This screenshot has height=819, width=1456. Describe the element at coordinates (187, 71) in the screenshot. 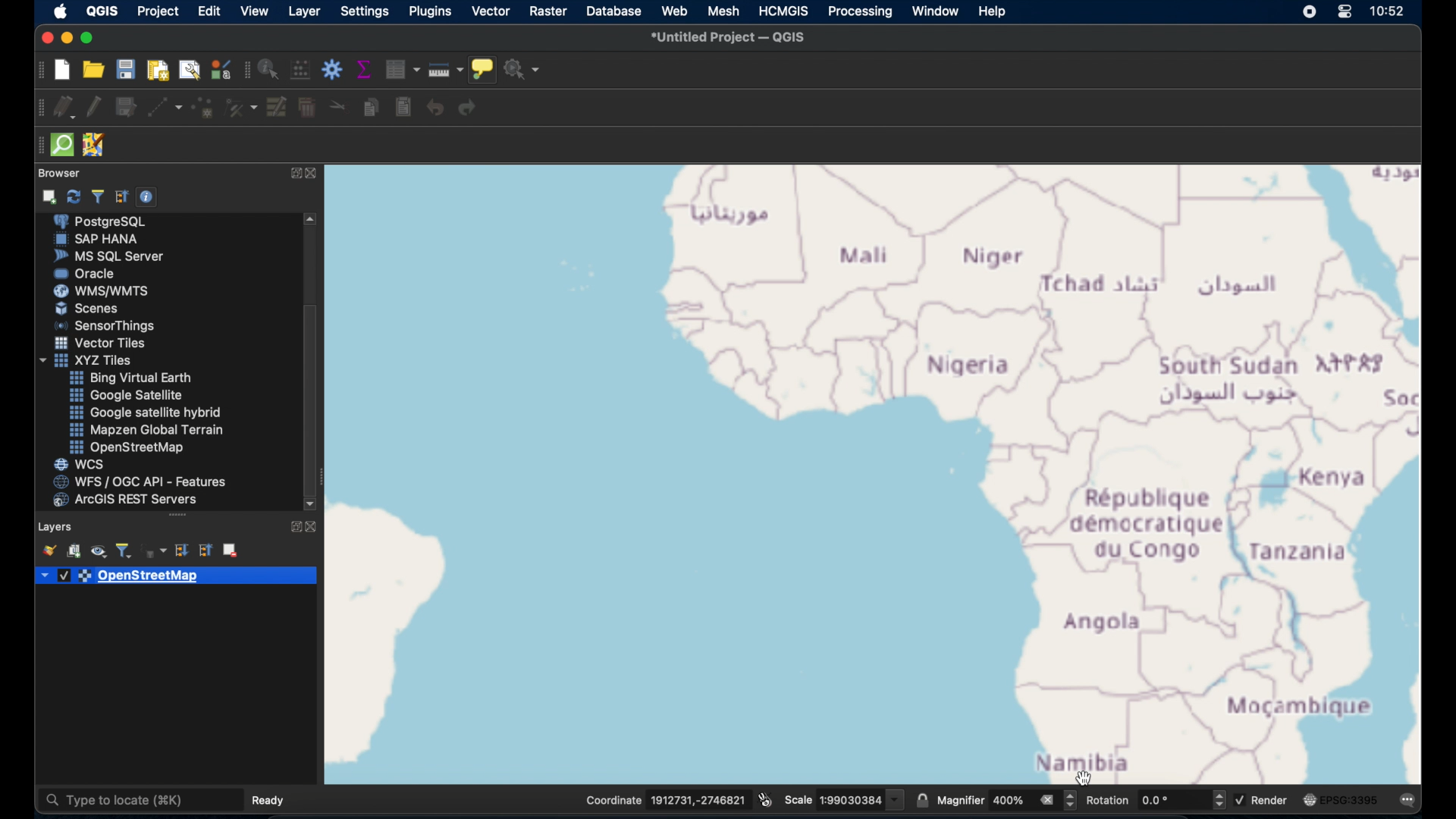

I see `show layout manager` at that location.